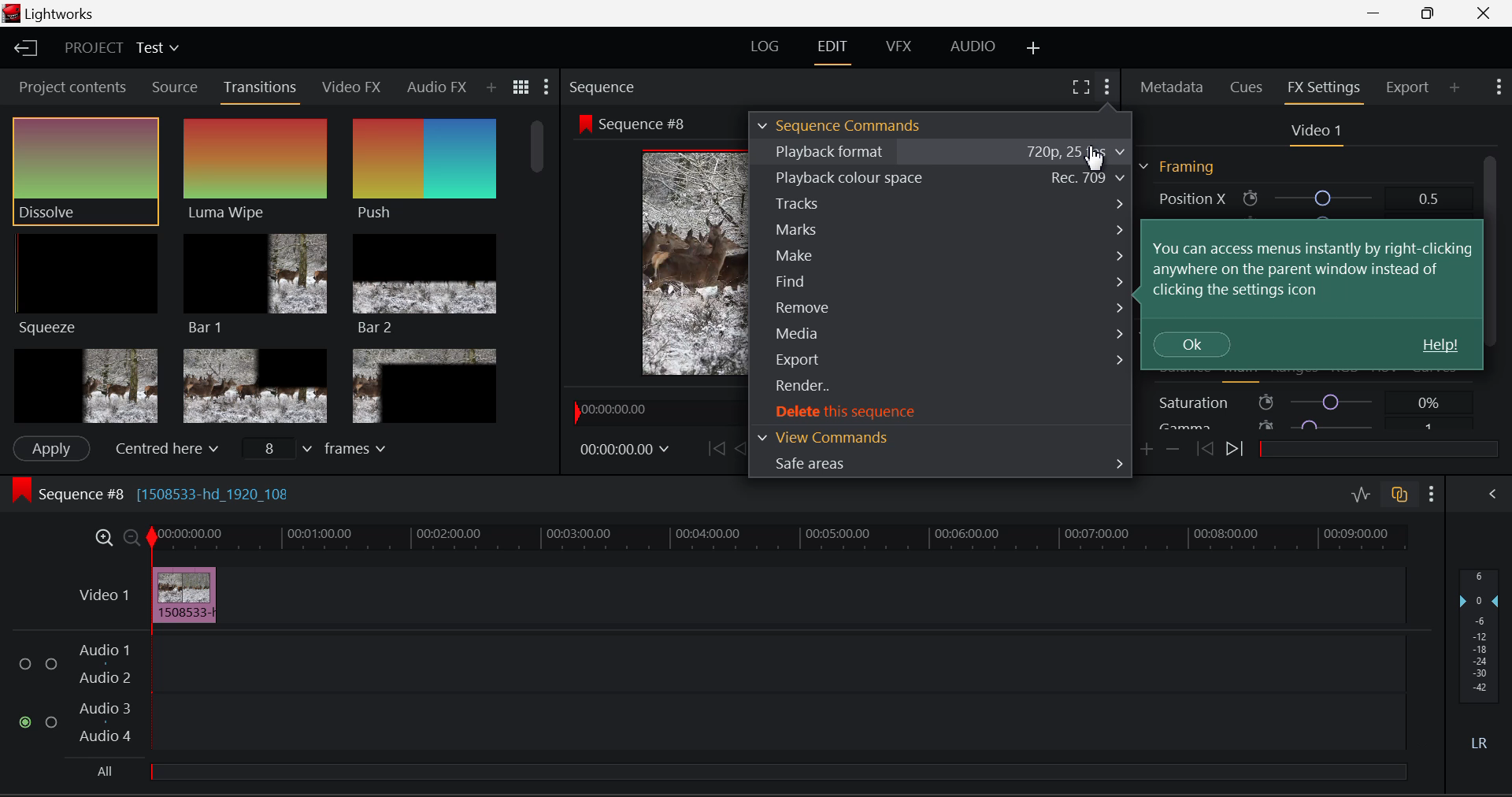 This screenshot has width=1512, height=797. I want to click on Cursor on Playback Format, so click(940, 150).